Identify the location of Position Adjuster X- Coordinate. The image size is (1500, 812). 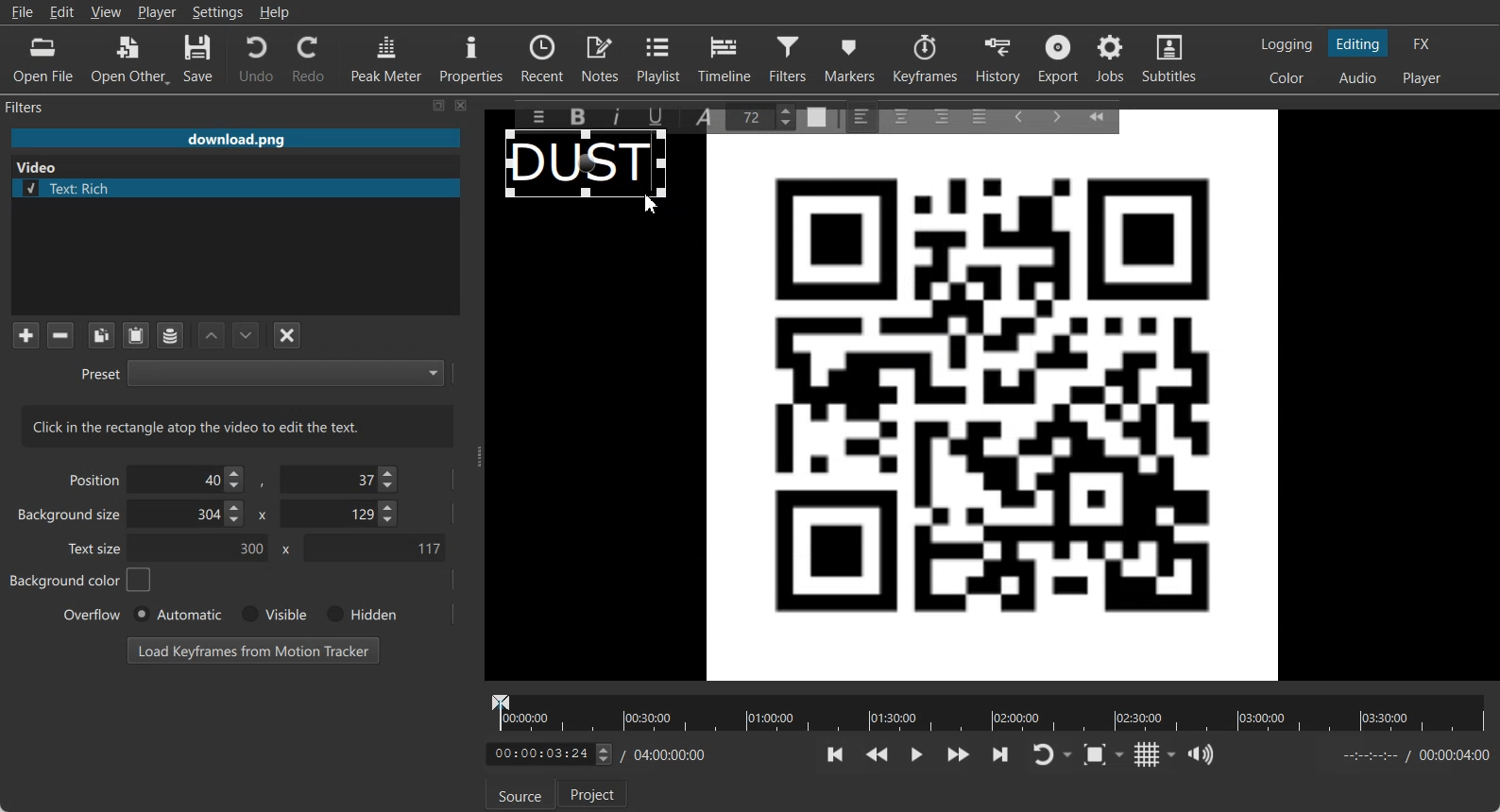
(191, 480).